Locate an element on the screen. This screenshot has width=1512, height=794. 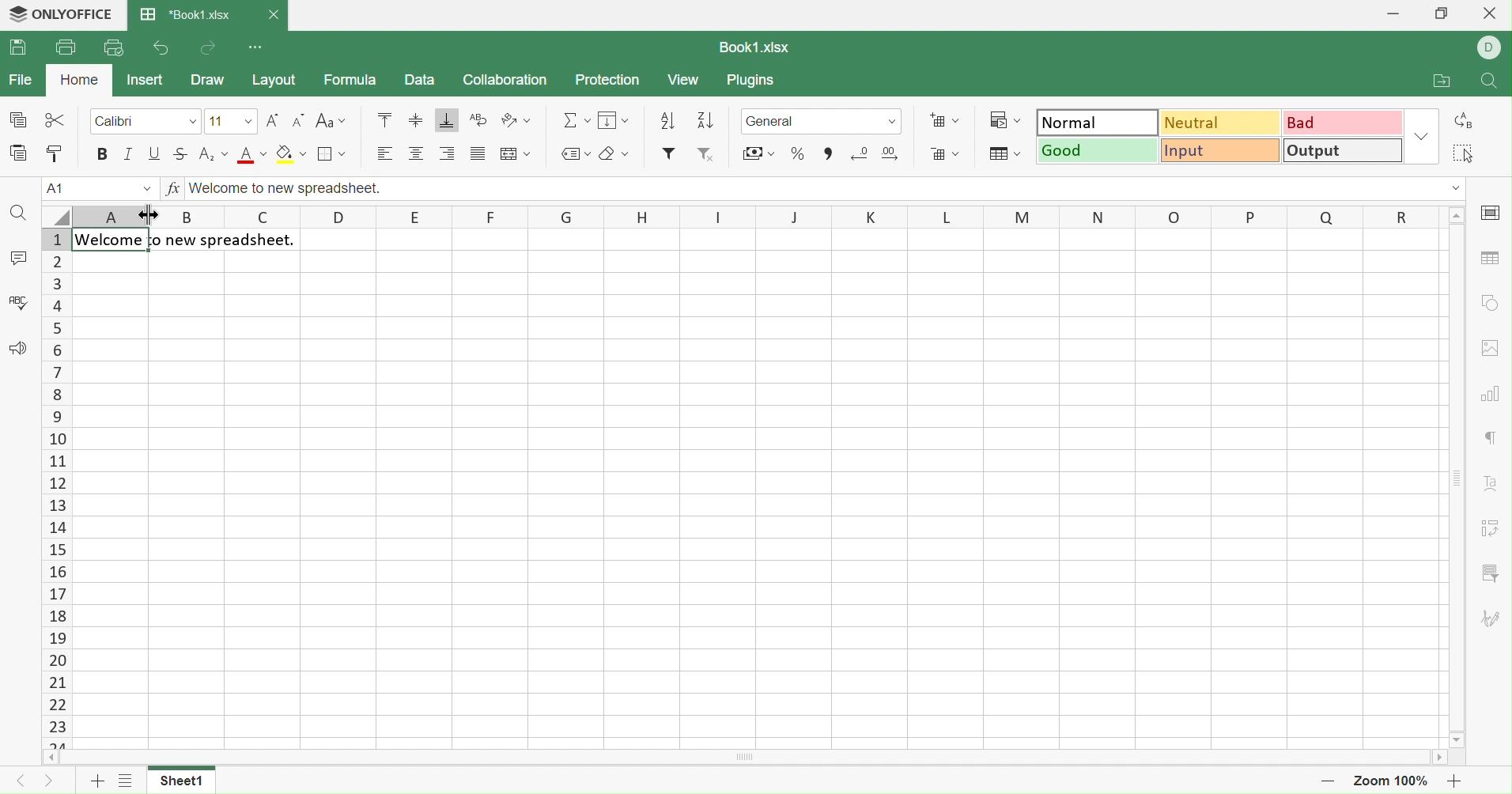
font size is located at coordinates (230, 120).